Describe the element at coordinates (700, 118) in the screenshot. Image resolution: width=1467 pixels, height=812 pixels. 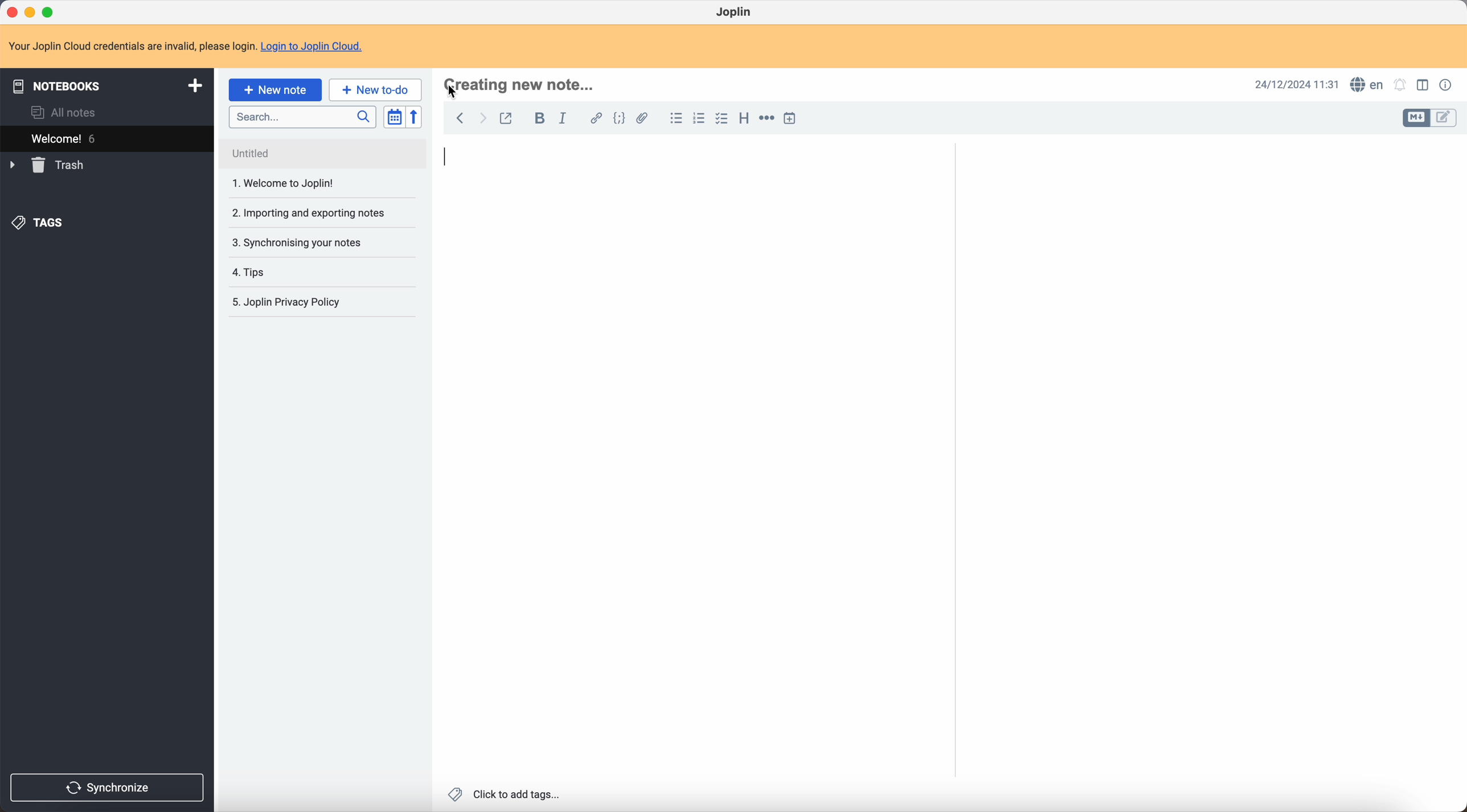
I see `numbered list` at that location.